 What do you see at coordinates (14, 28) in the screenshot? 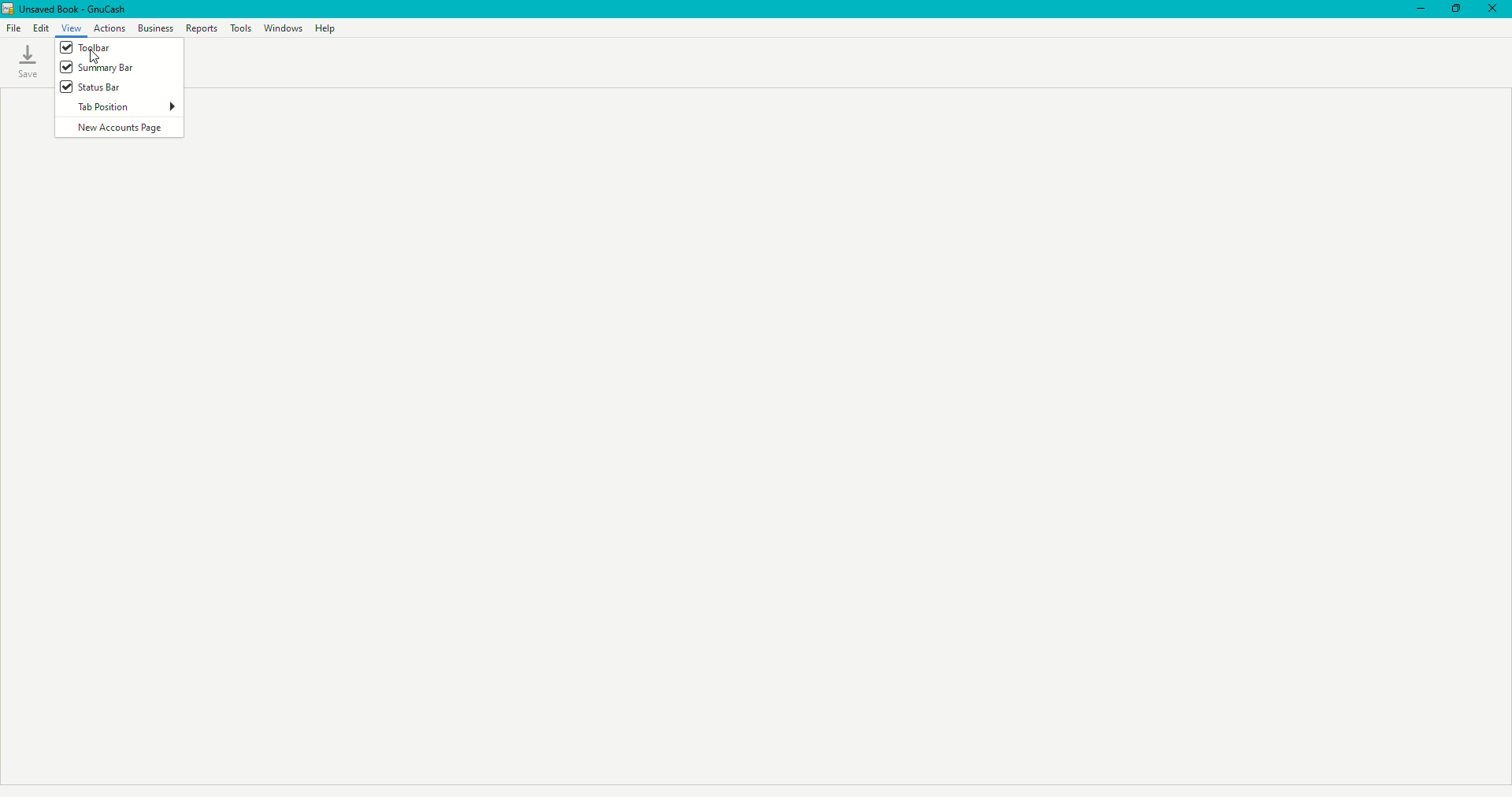
I see `File` at bounding box center [14, 28].